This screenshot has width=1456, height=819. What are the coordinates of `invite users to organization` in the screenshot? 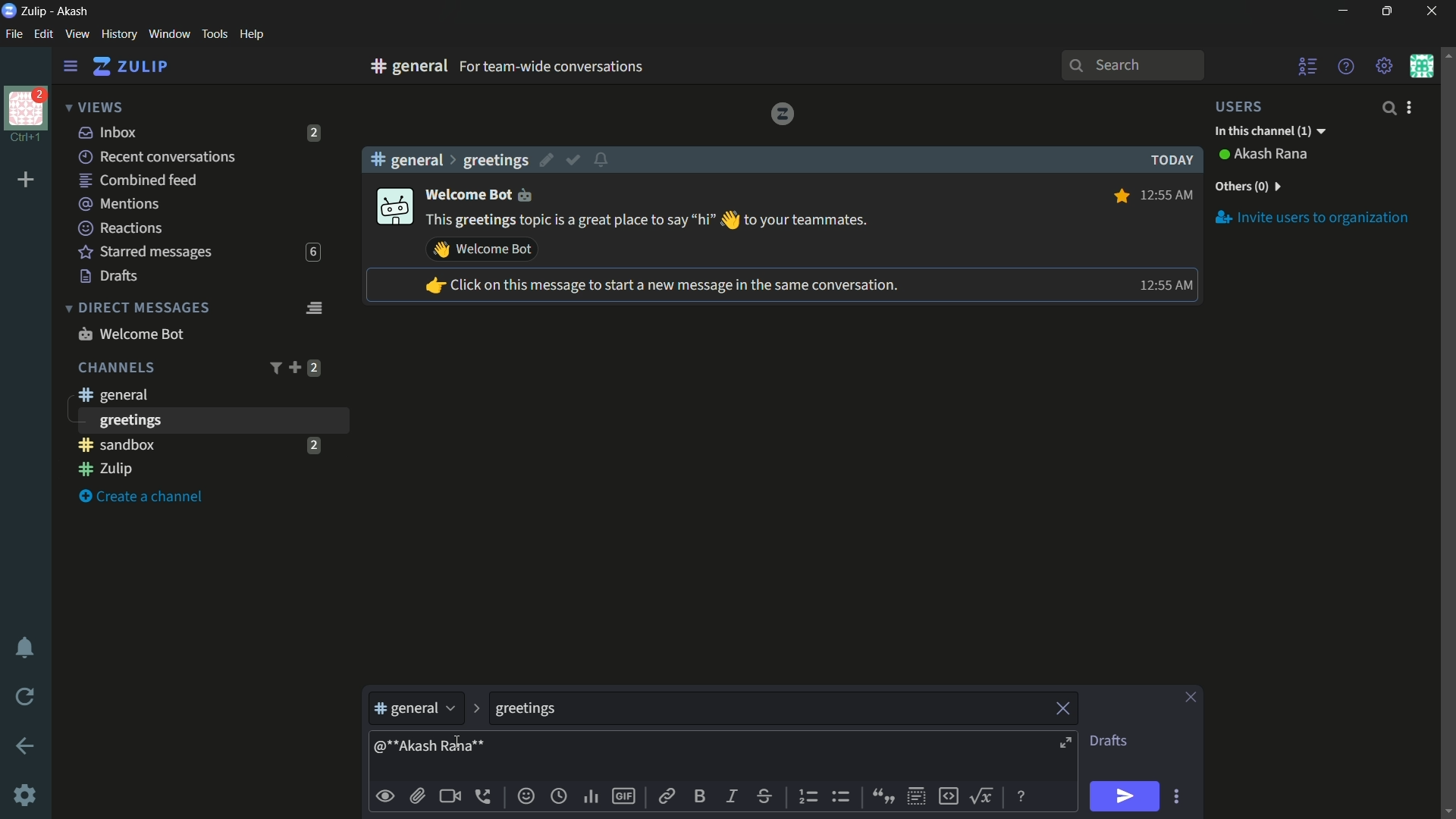 It's located at (1313, 217).